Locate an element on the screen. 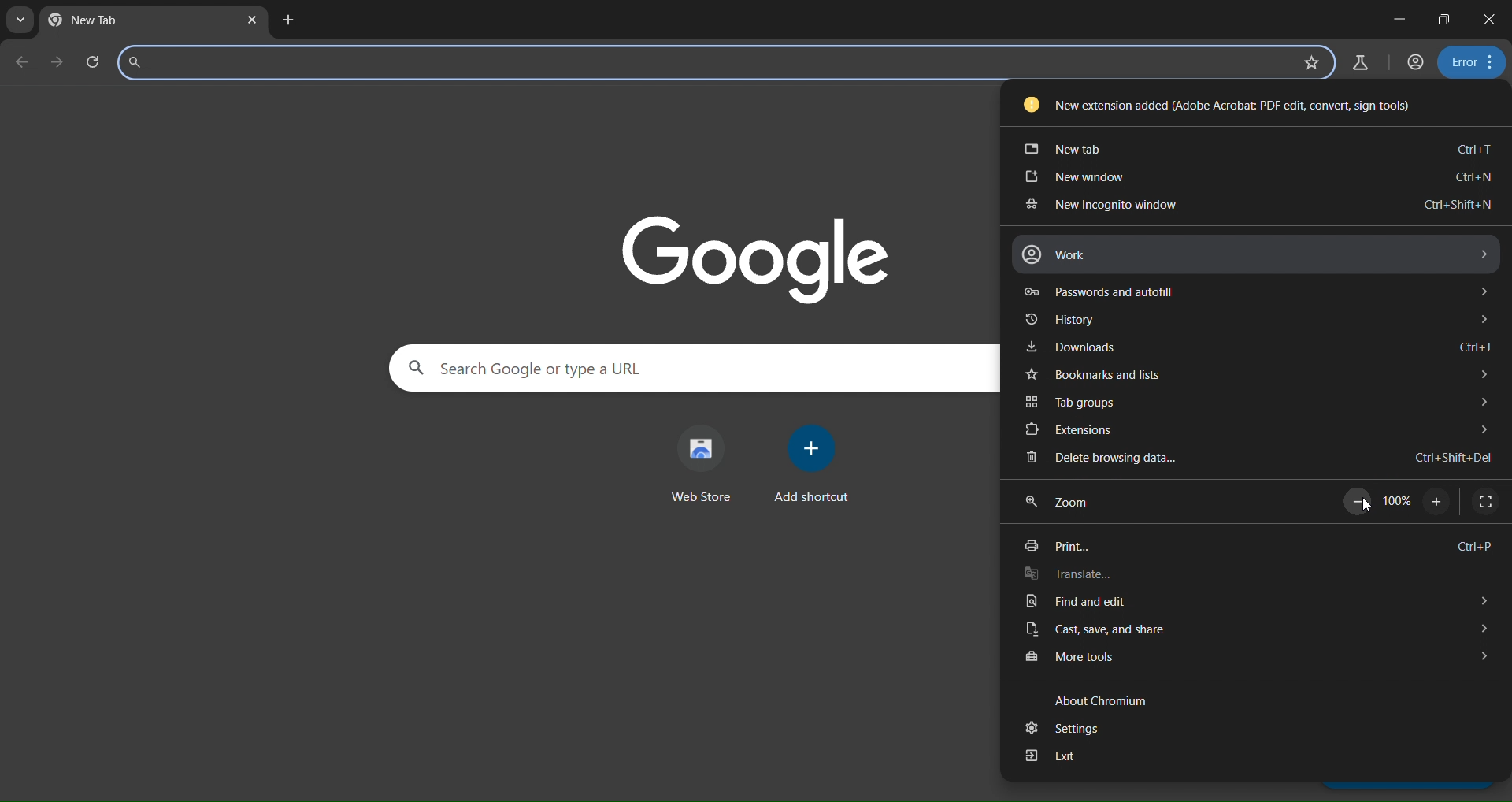  find and edit is located at coordinates (1258, 602).